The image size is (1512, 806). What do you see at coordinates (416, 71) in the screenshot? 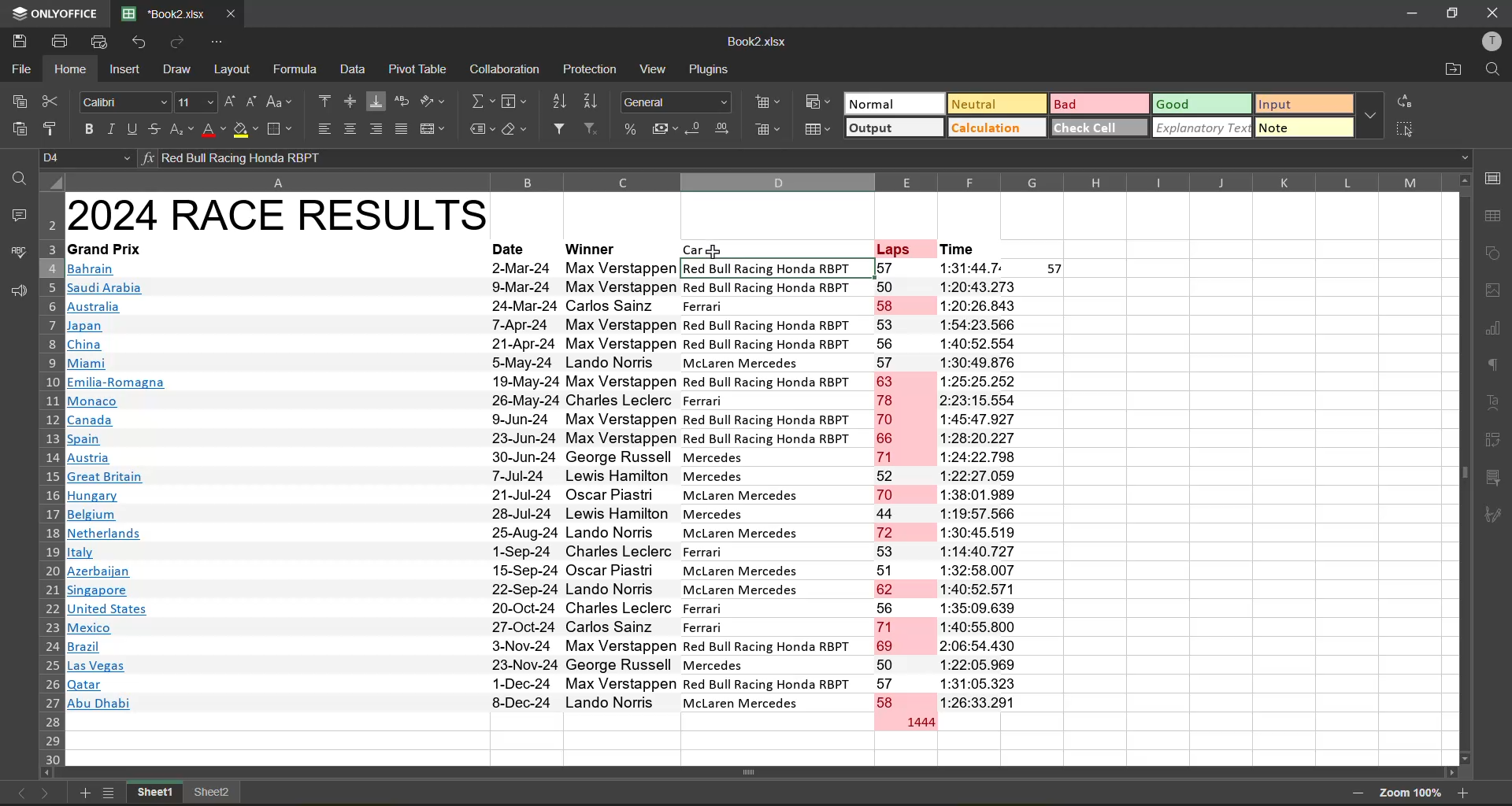
I see `pivot table` at bounding box center [416, 71].